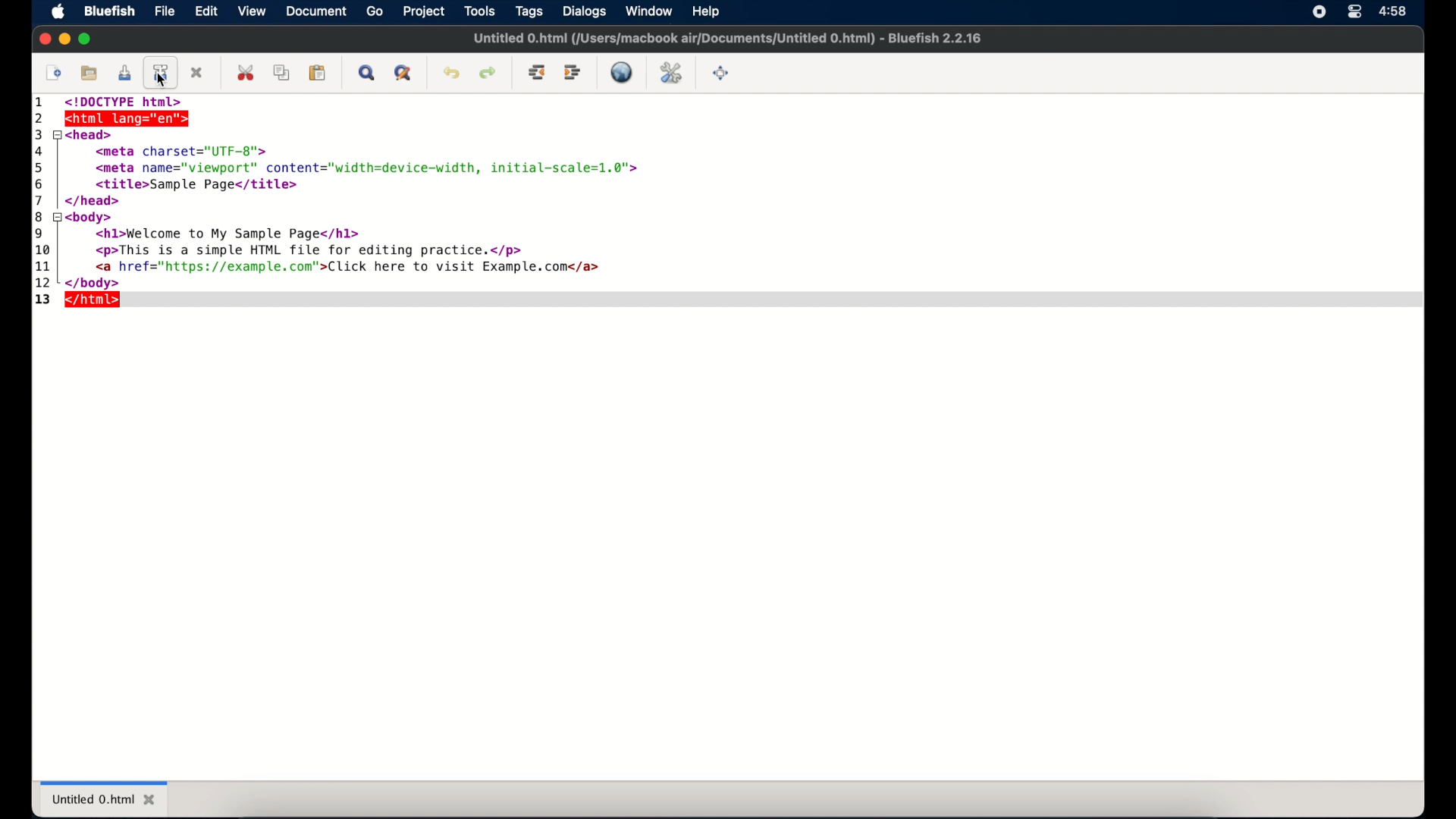 This screenshot has height=819, width=1456. I want to click on <hl>Welcome to My Sample Page</hl>, so click(221, 233).